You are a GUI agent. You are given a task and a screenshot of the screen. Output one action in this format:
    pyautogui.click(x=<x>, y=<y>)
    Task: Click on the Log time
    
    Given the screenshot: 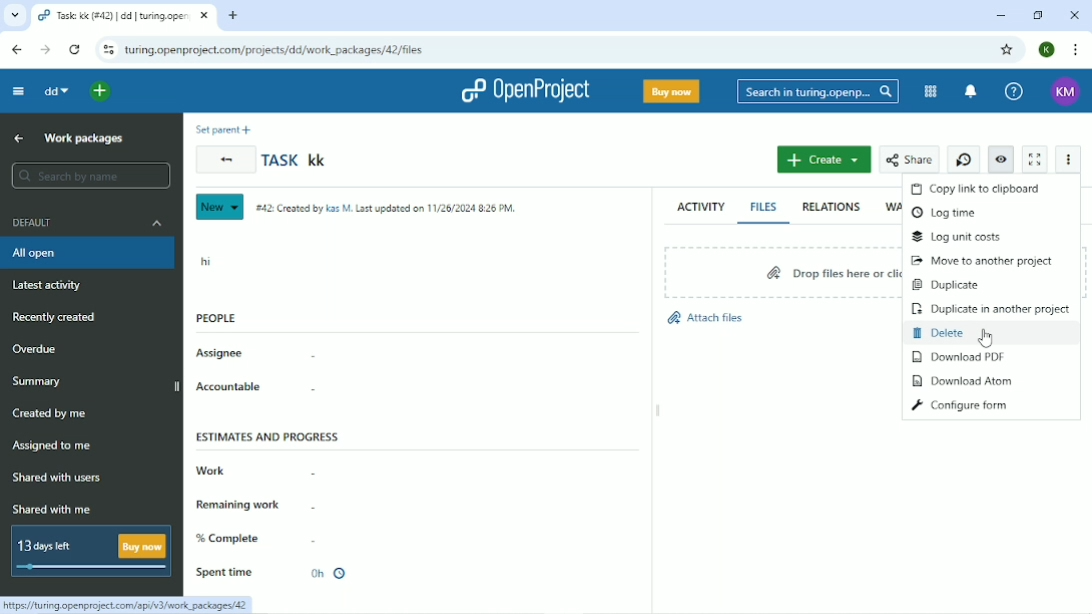 What is the action you would take?
    pyautogui.click(x=946, y=212)
    